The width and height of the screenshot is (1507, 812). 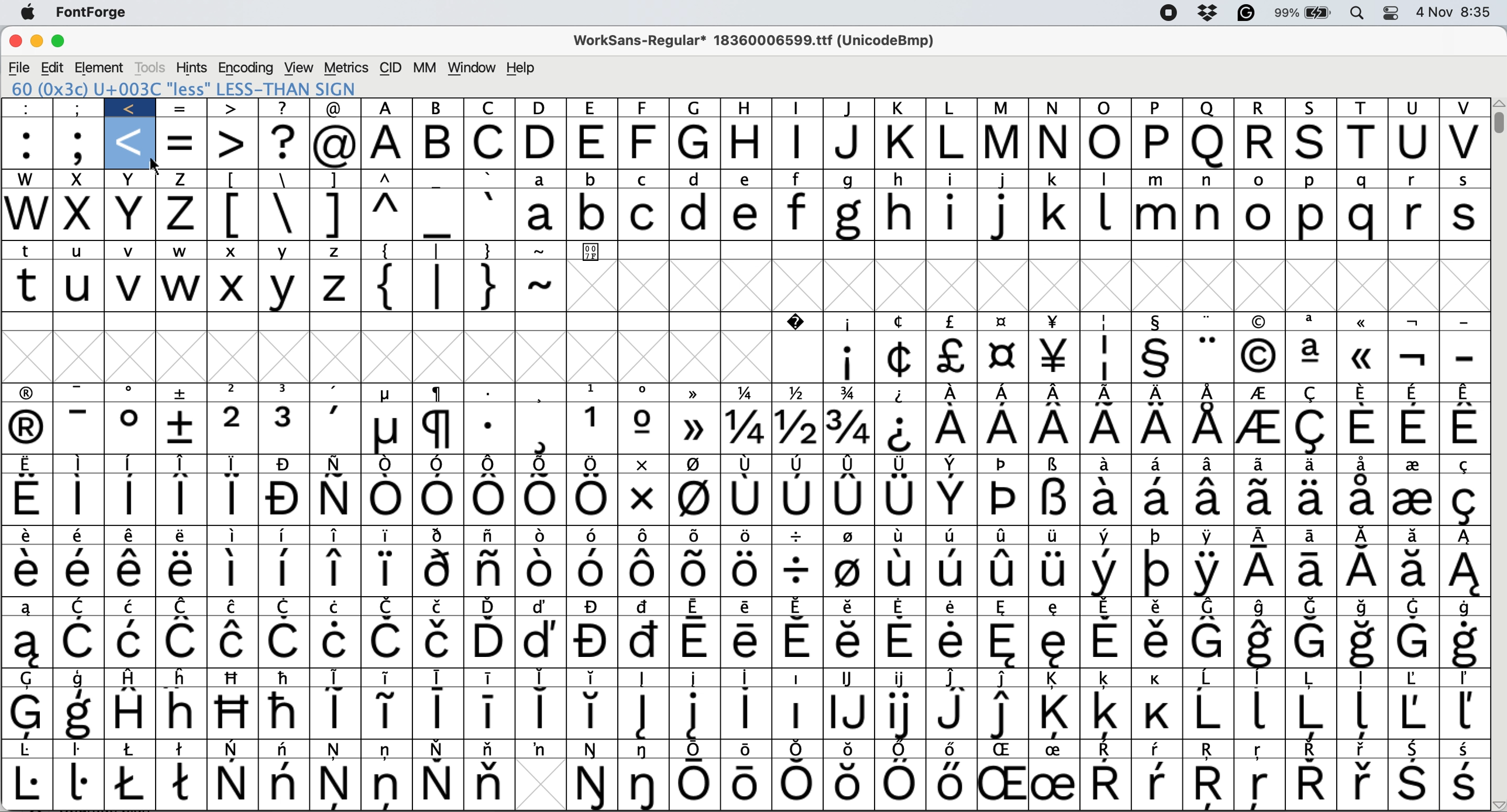 I want to click on Symbol, so click(x=900, y=572).